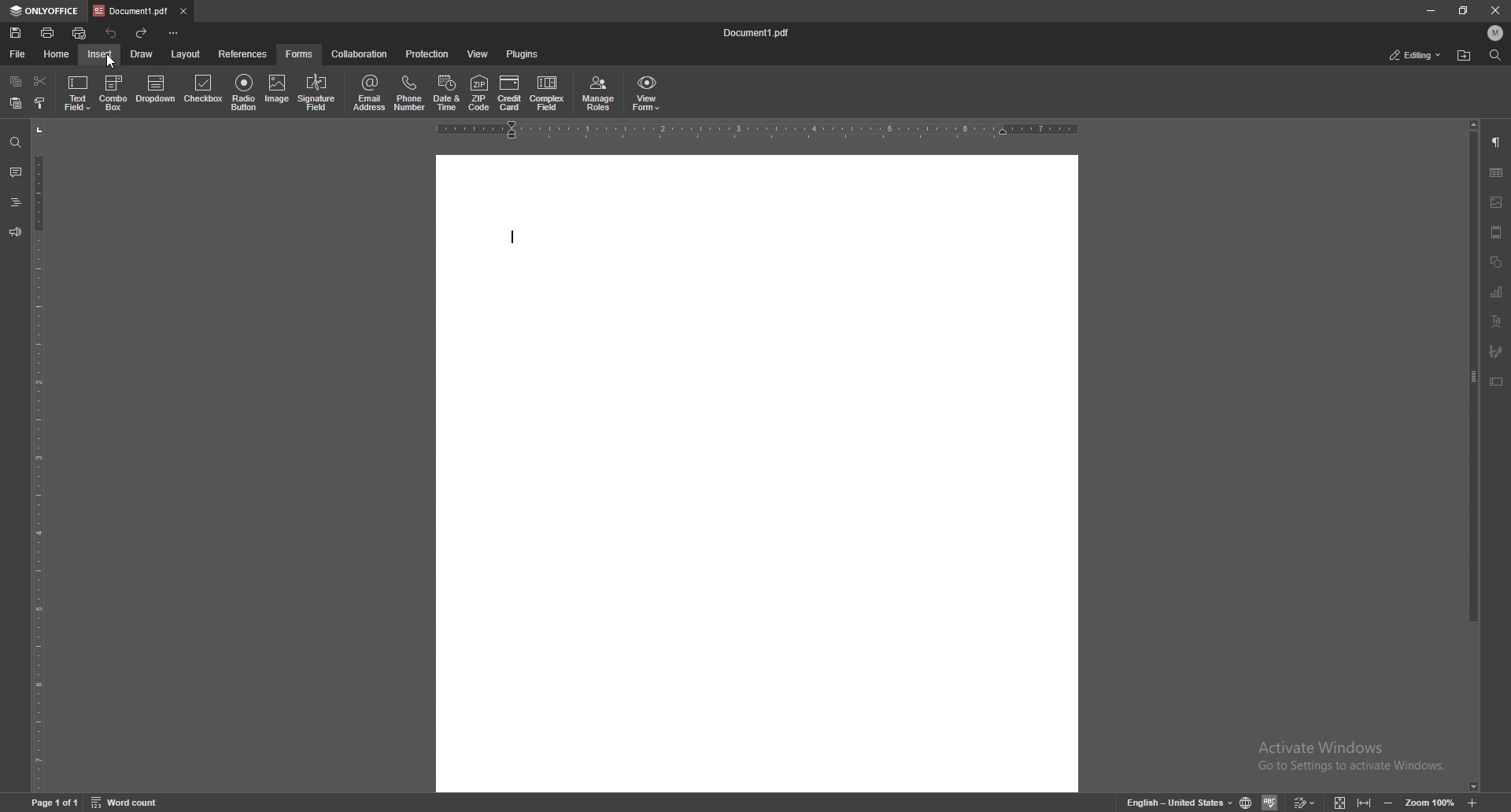 The height and width of the screenshot is (812, 1511). What do you see at coordinates (1364, 803) in the screenshot?
I see `fit to width` at bounding box center [1364, 803].